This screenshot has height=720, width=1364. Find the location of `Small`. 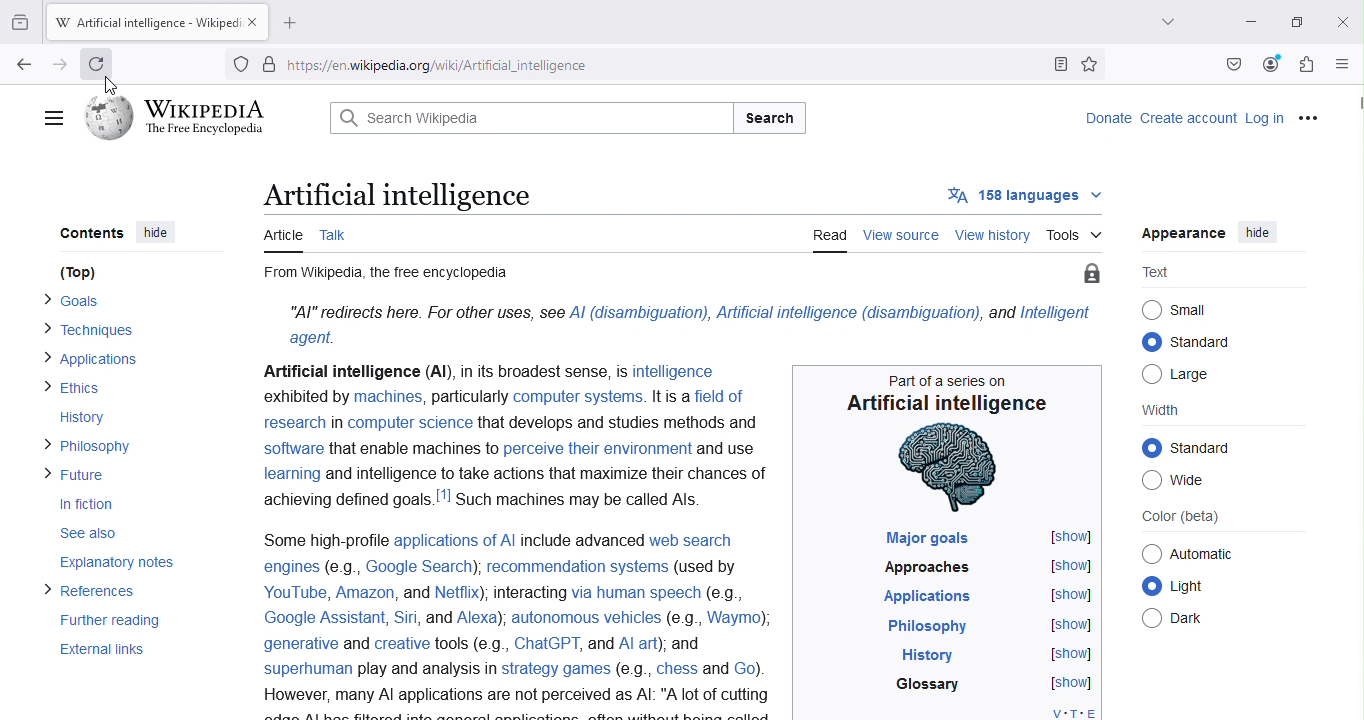

Small is located at coordinates (1187, 311).